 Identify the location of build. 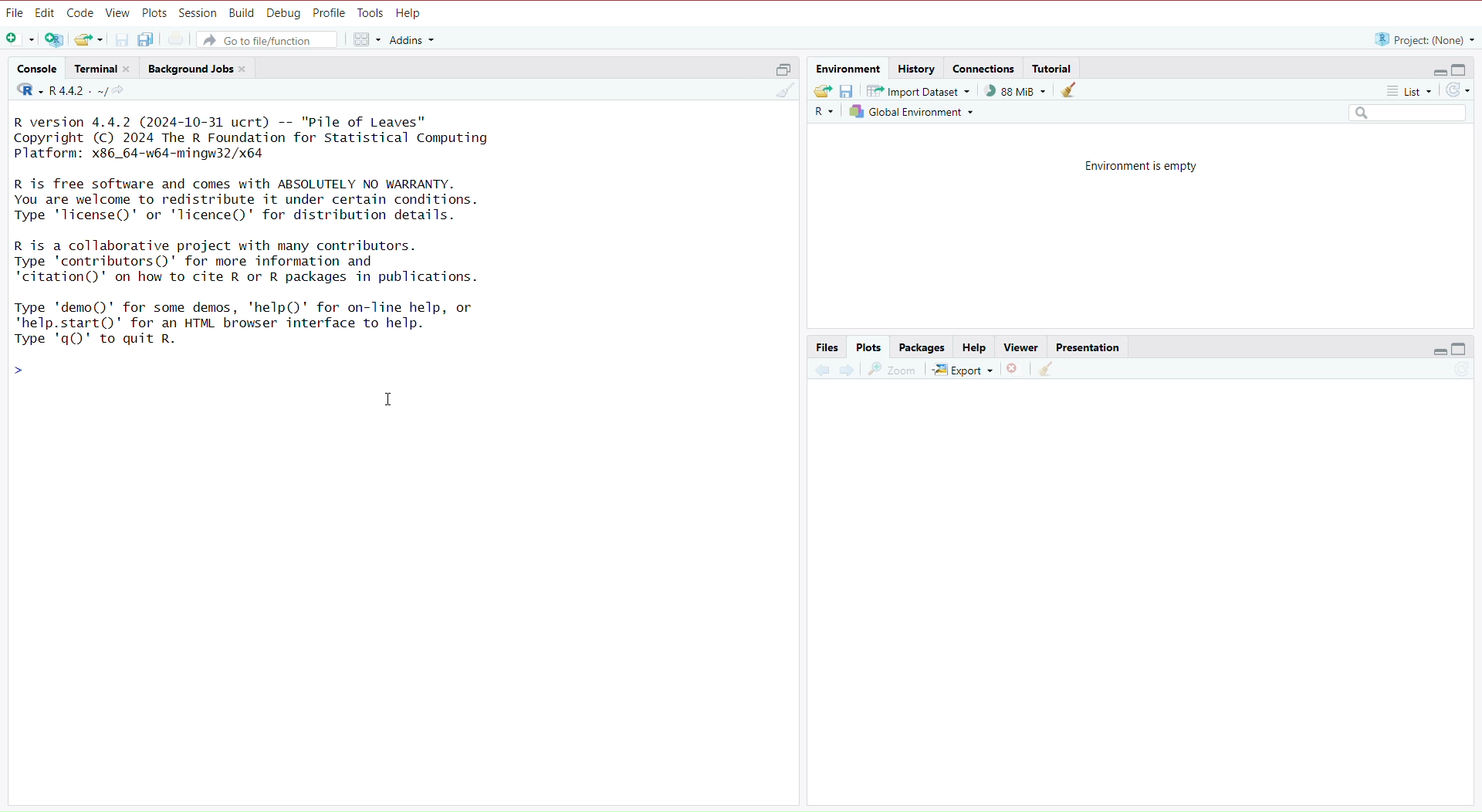
(242, 14).